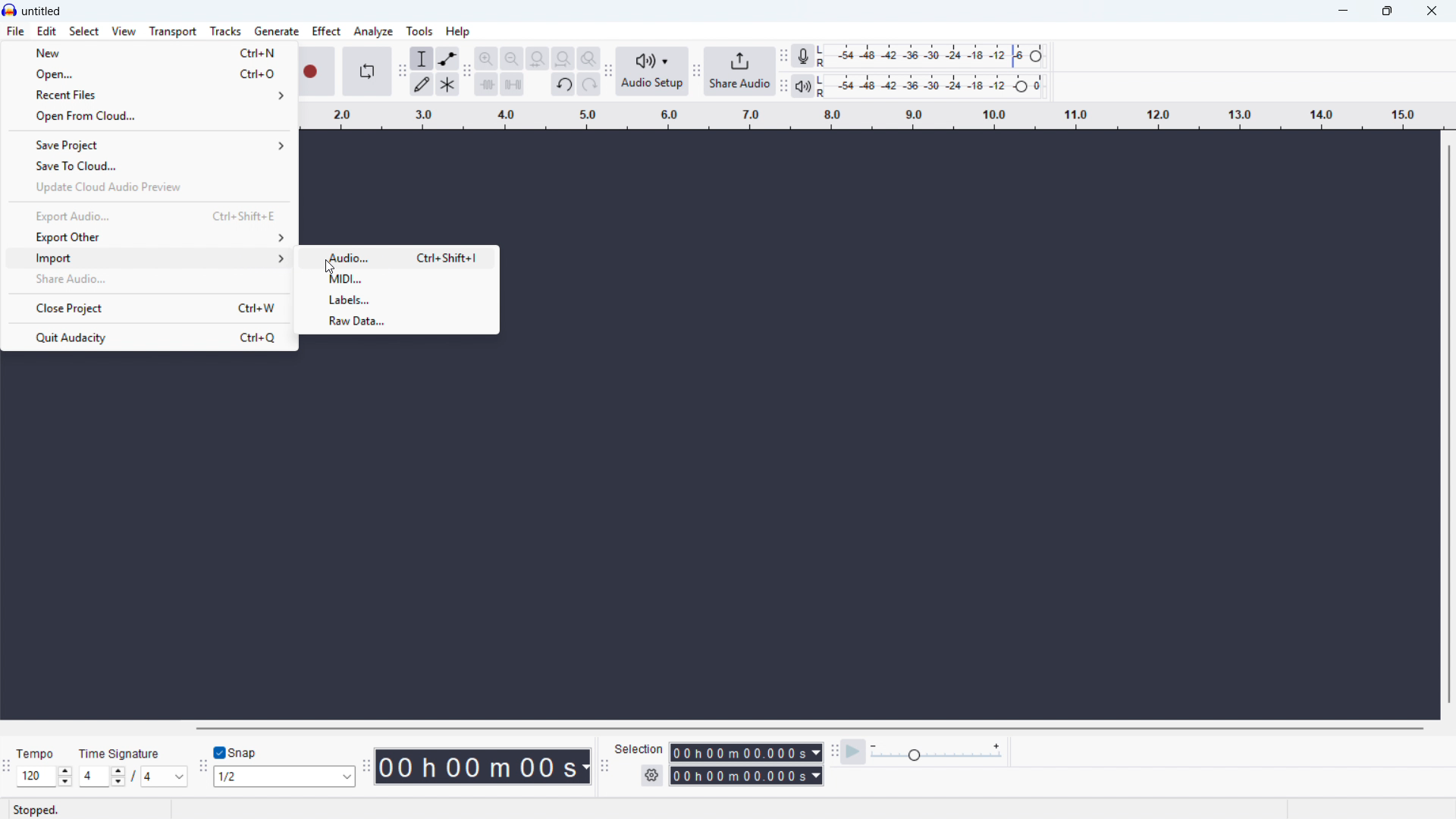 This screenshot has height=819, width=1456. I want to click on file , so click(16, 33).